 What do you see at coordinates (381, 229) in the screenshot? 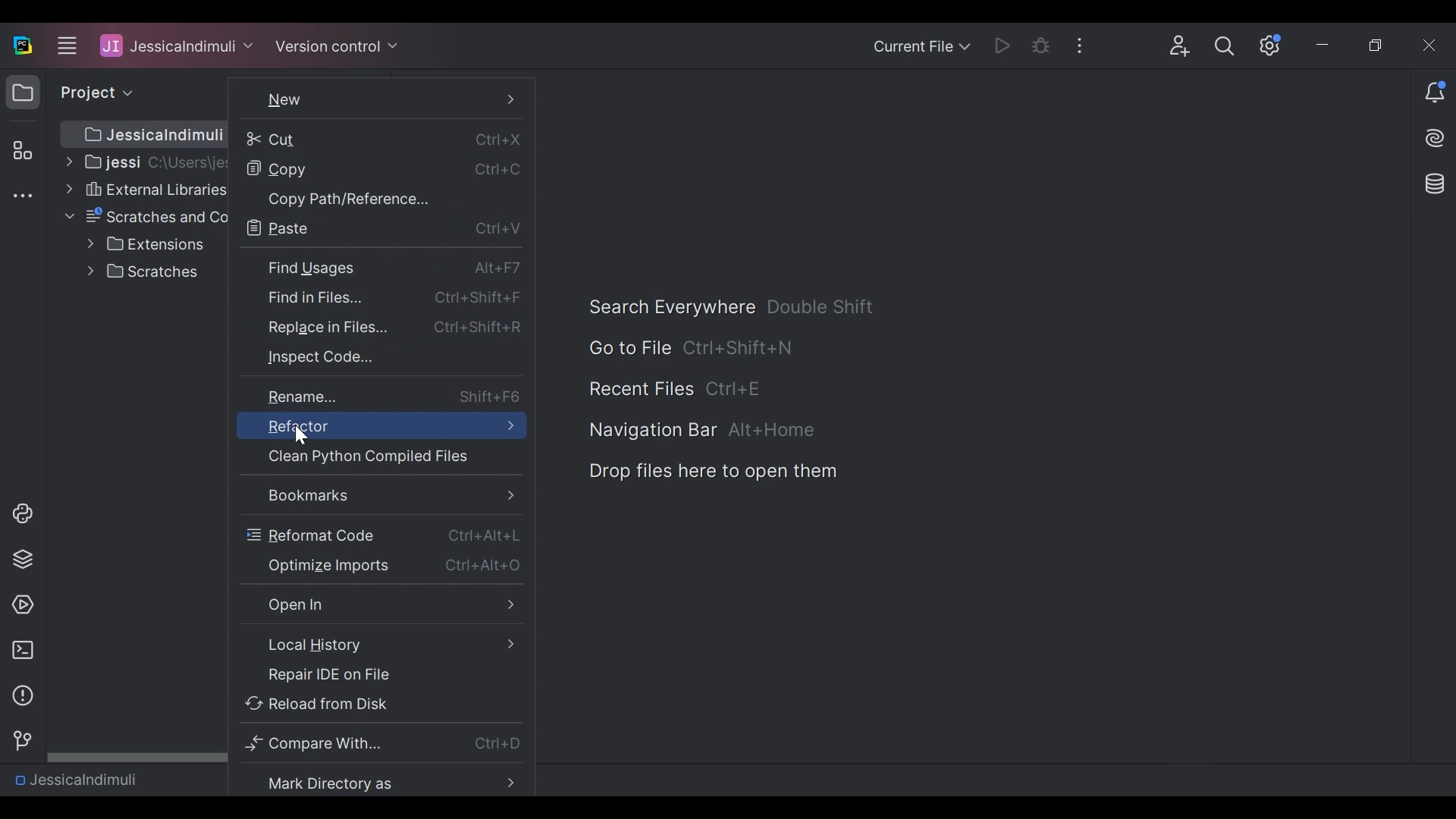
I see `Paste` at bounding box center [381, 229].